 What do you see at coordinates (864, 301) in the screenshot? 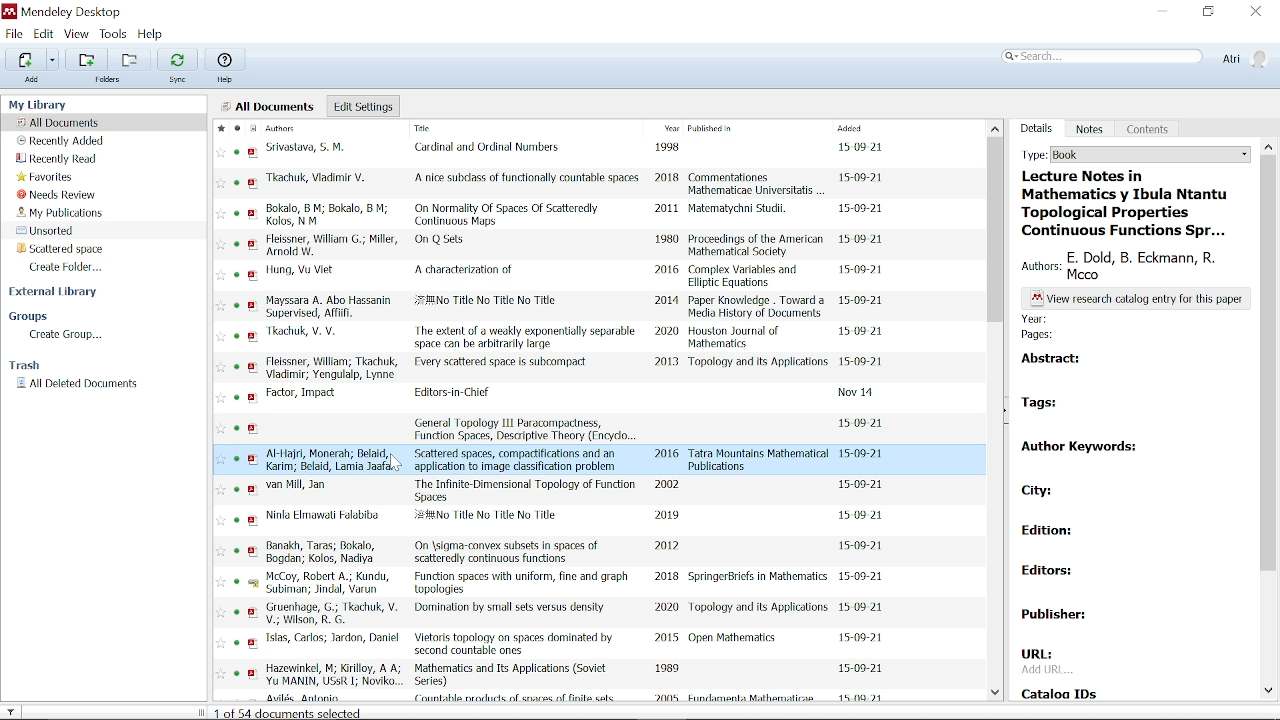
I see `date` at bounding box center [864, 301].